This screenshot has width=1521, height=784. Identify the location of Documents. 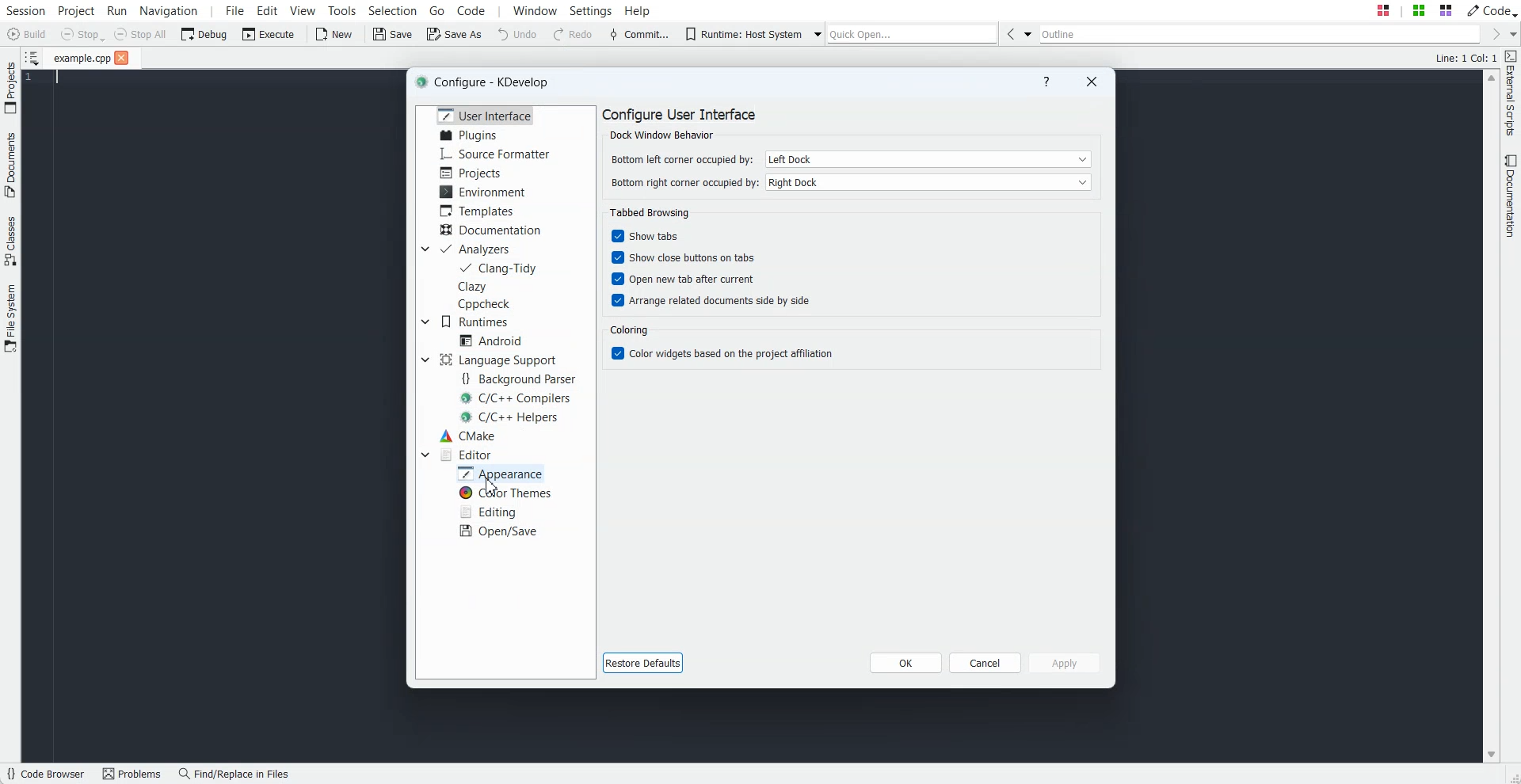
(10, 165).